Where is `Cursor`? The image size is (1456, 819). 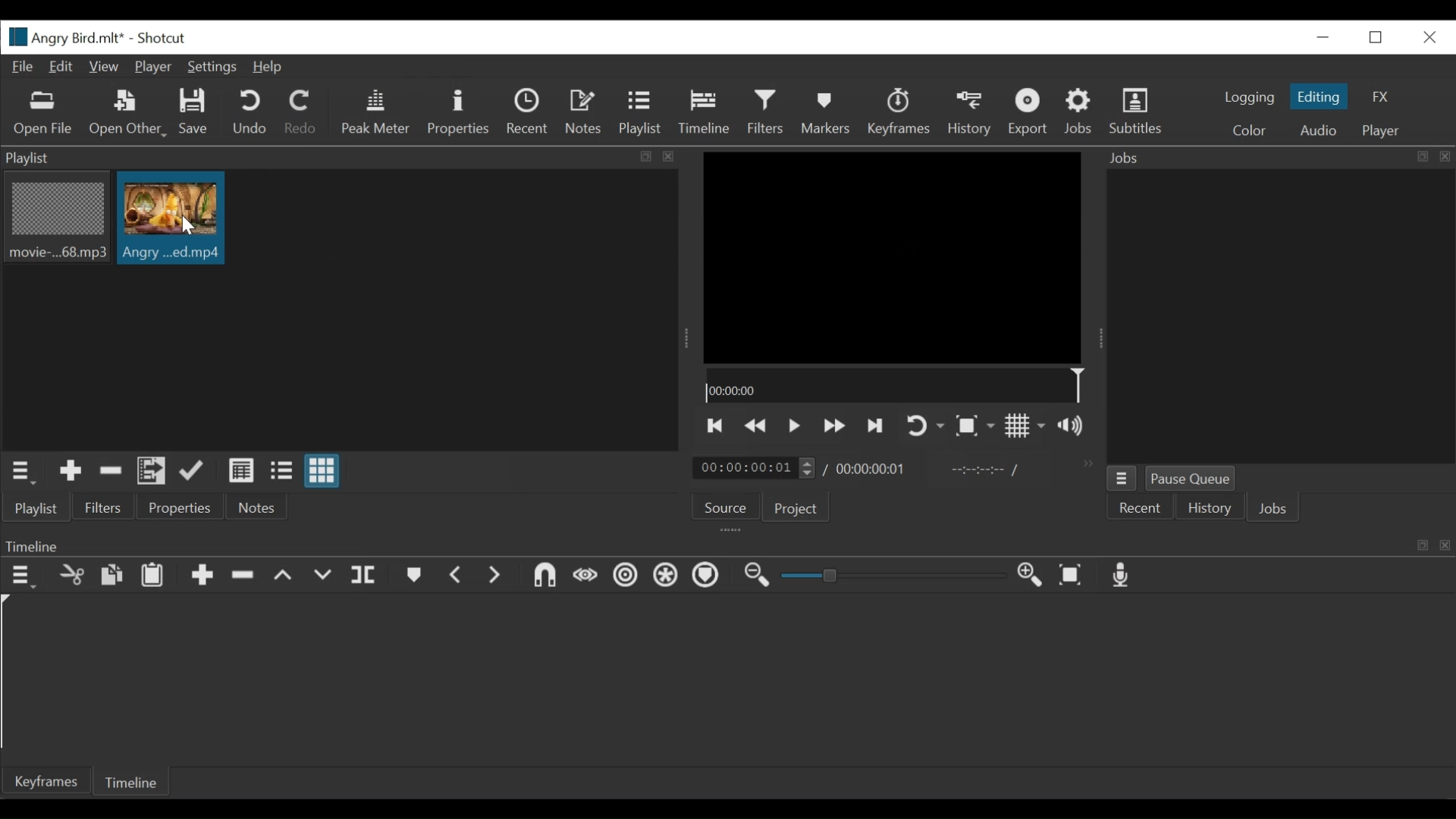
Cursor is located at coordinates (188, 227).